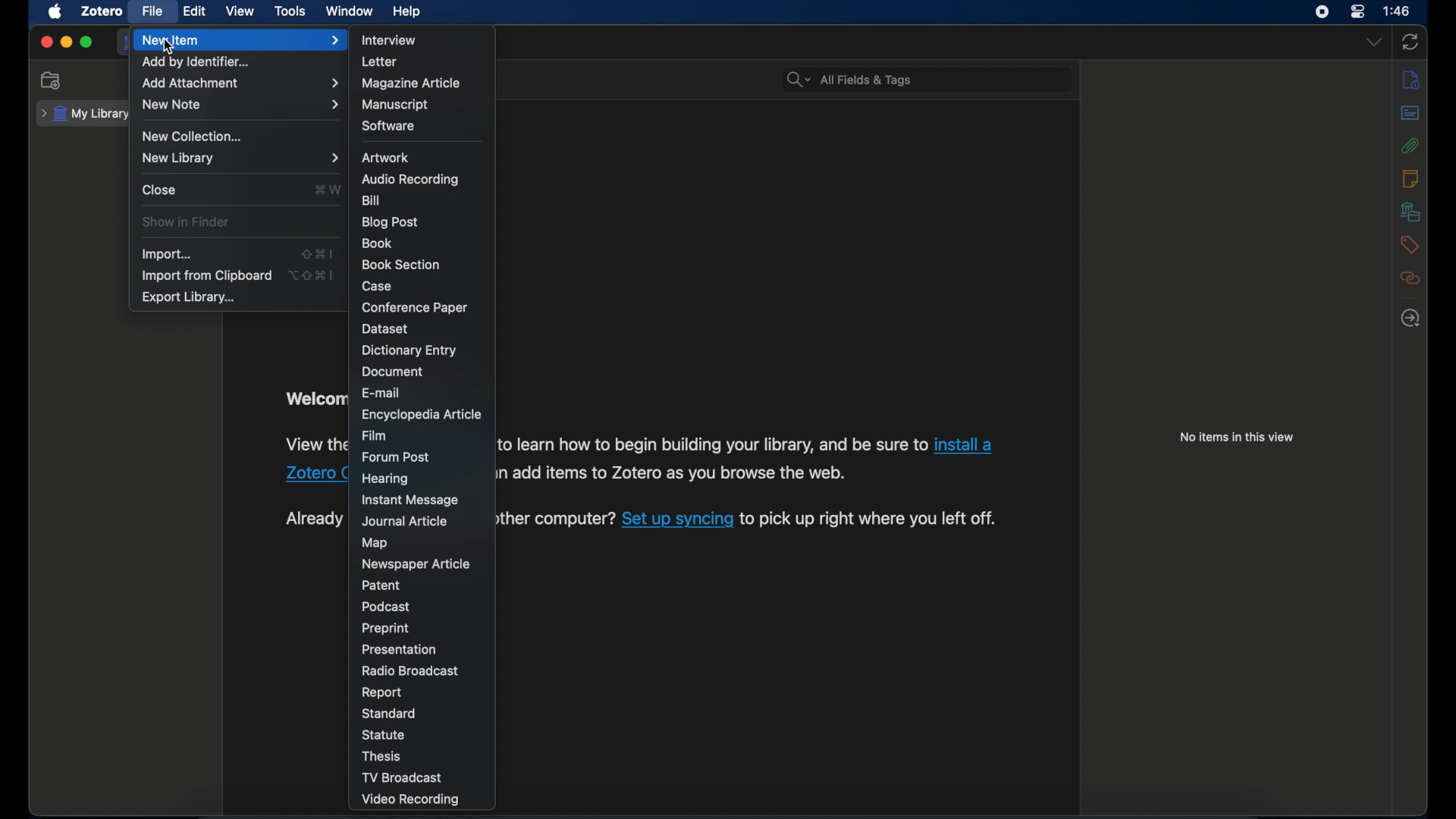 This screenshot has height=819, width=1456. Describe the element at coordinates (1411, 245) in the screenshot. I see `tags` at that location.